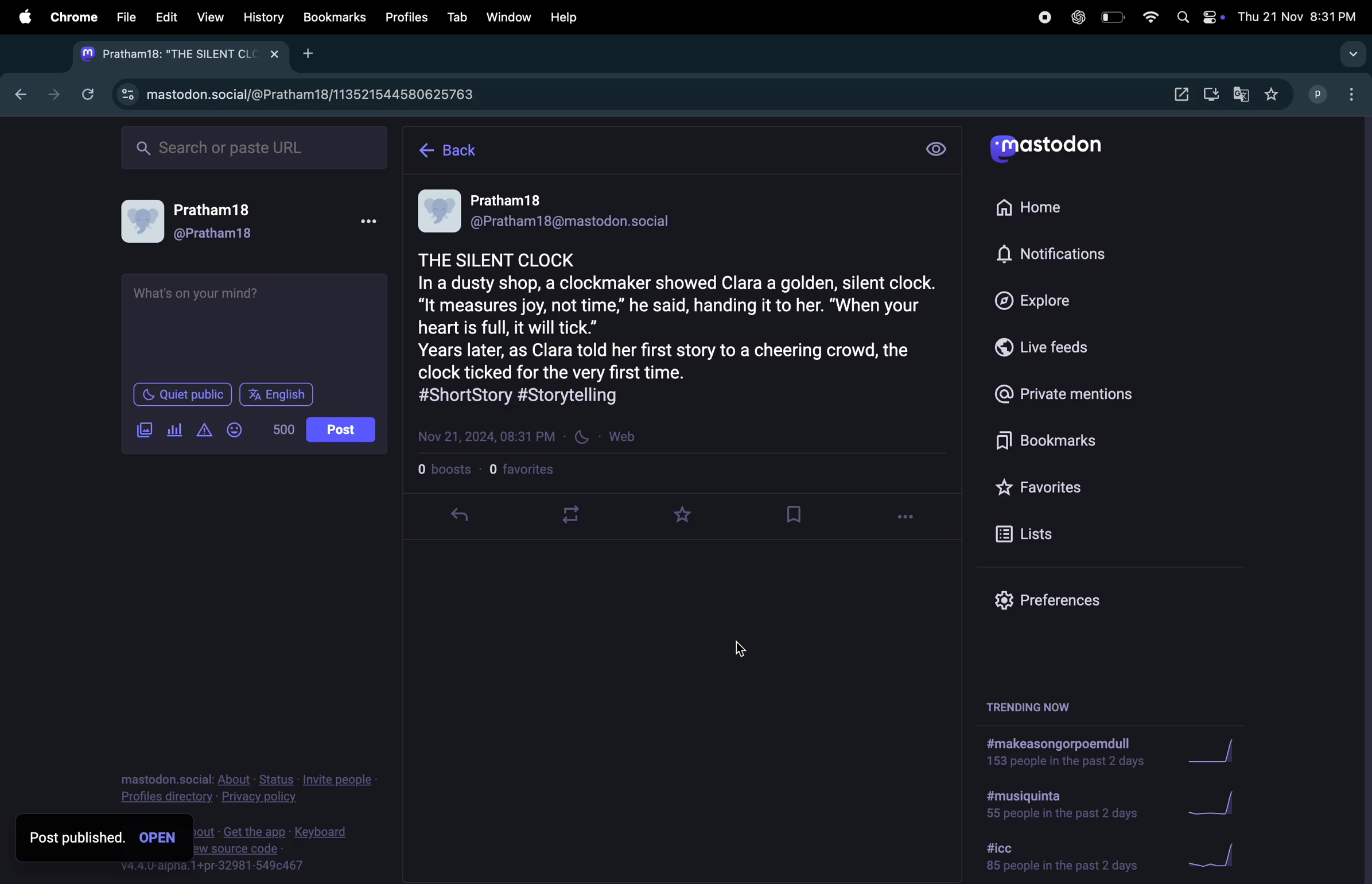 The image size is (1372, 884). I want to click on profiles, so click(404, 17).